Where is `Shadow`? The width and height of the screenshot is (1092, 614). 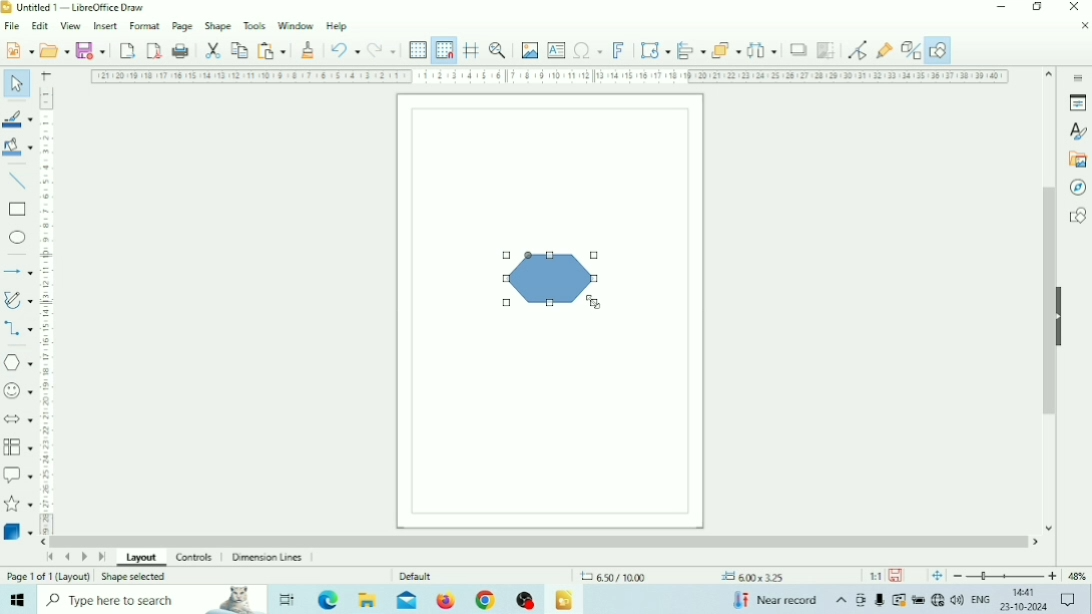 Shadow is located at coordinates (798, 50).